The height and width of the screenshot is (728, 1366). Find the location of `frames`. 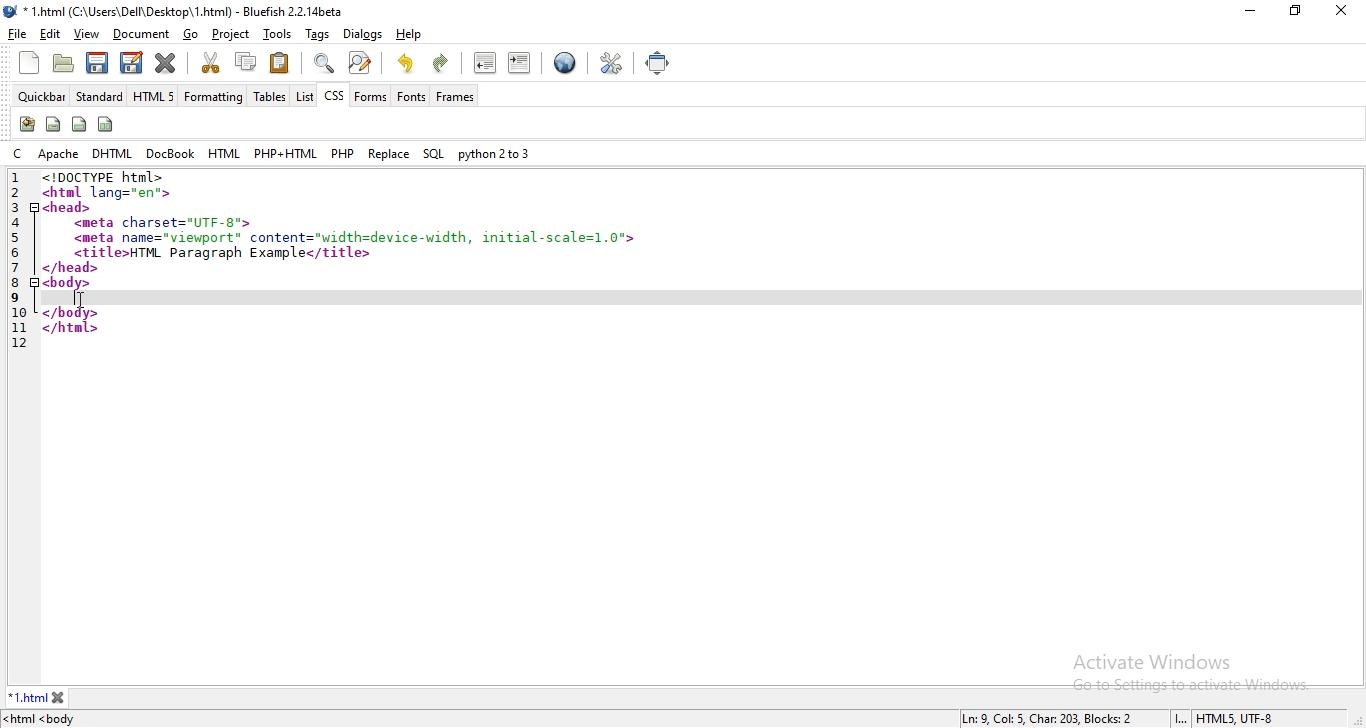

frames is located at coordinates (454, 97).